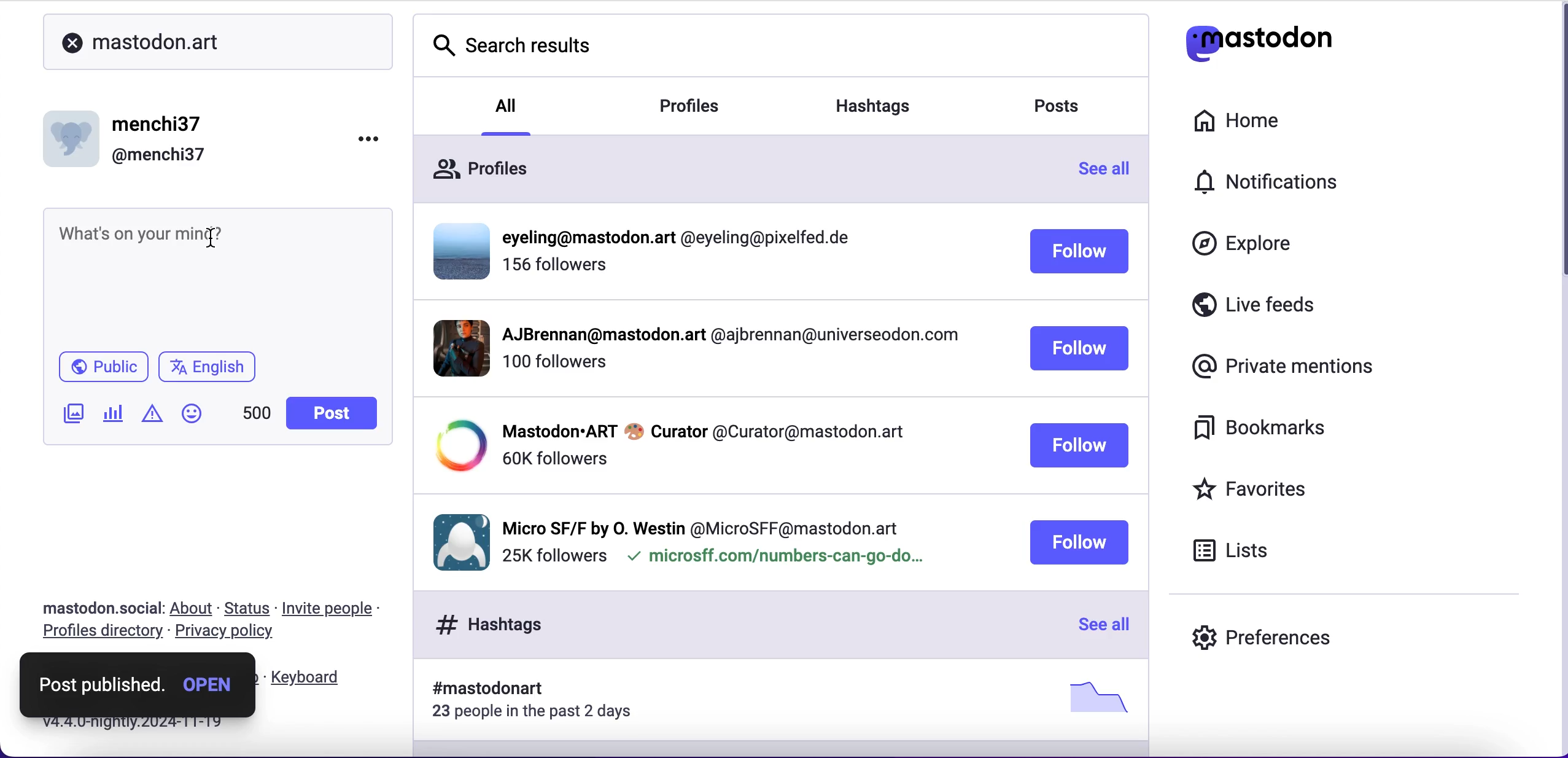 This screenshot has width=1568, height=758. Describe the element at coordinates (457, 249) in the screenshot. I see `display picture` at that location.